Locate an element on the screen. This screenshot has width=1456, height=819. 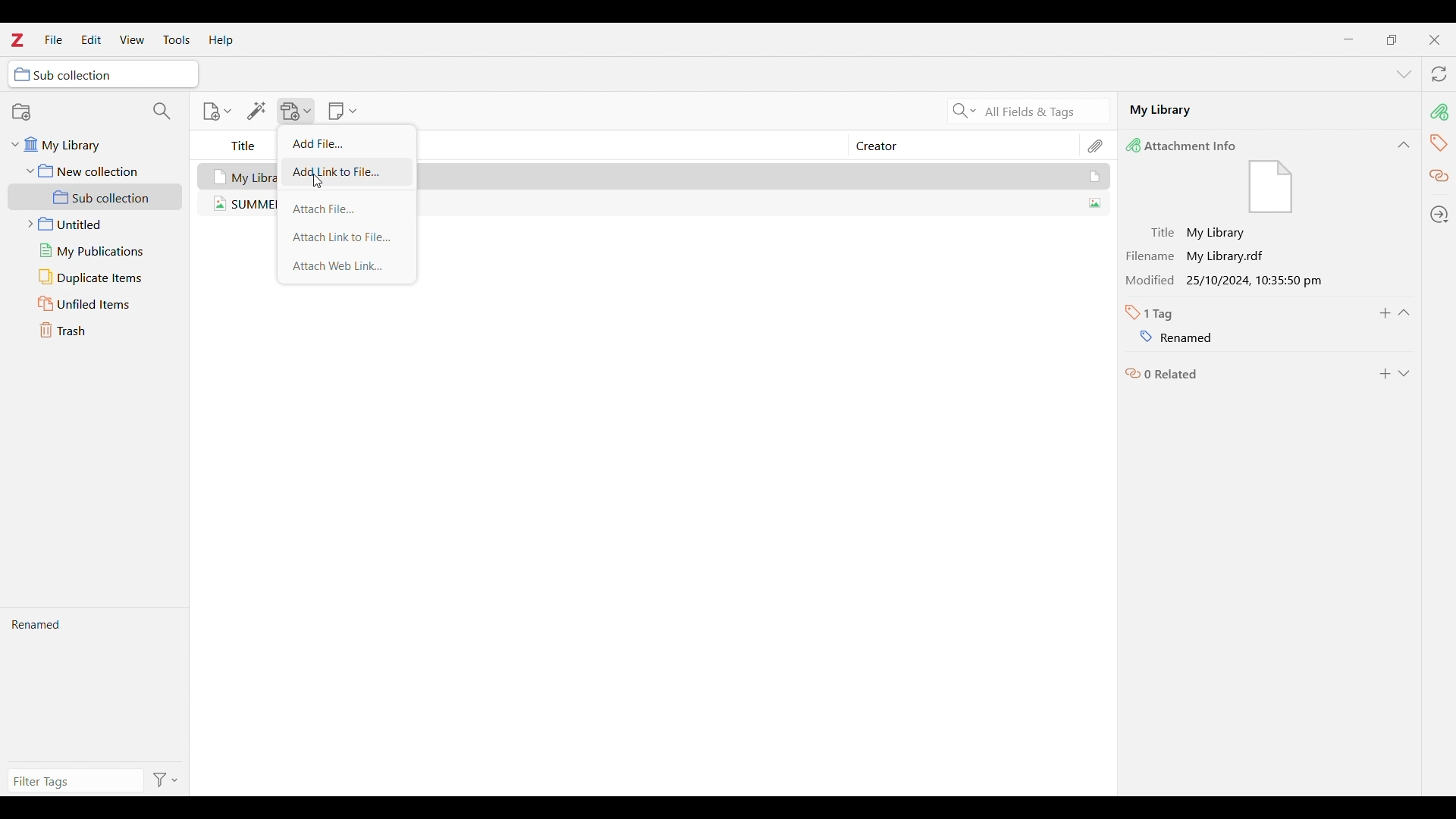
Collapse is located at coordinates (1404, 312).